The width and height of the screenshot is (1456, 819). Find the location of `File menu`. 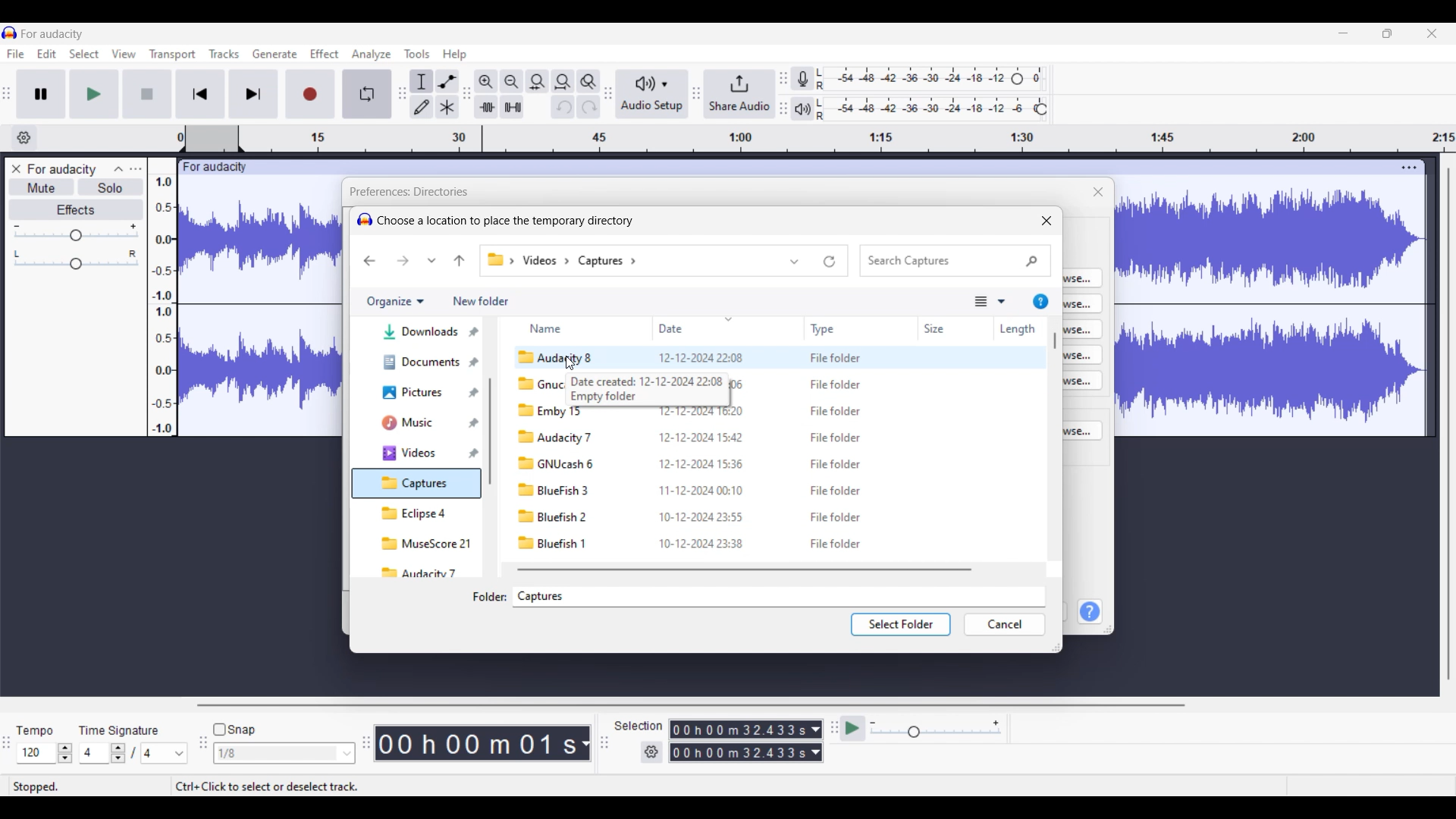

File menu is located at coordinates (16, 54).